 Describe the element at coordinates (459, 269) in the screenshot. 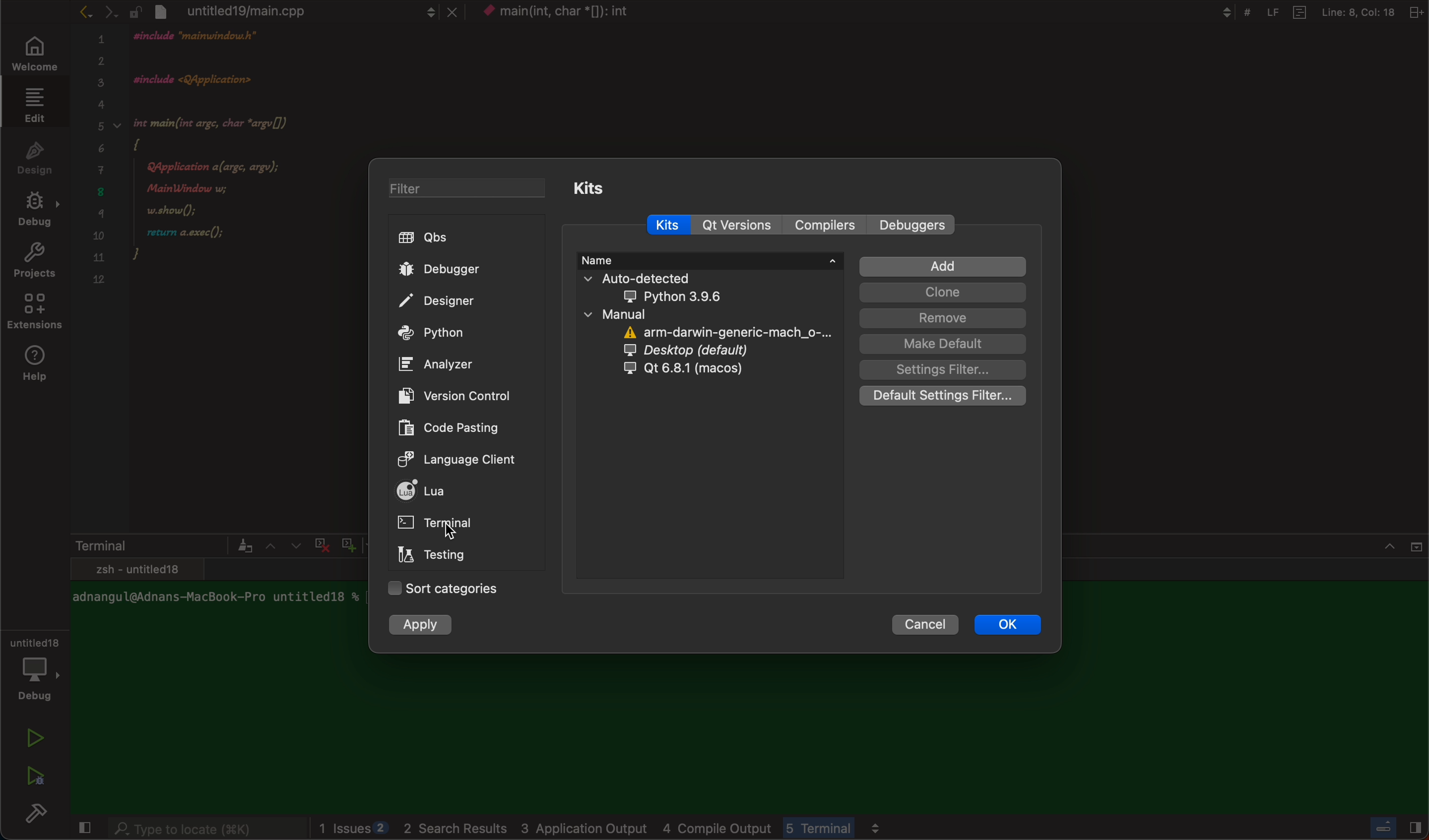

I see `debugger` at that location.